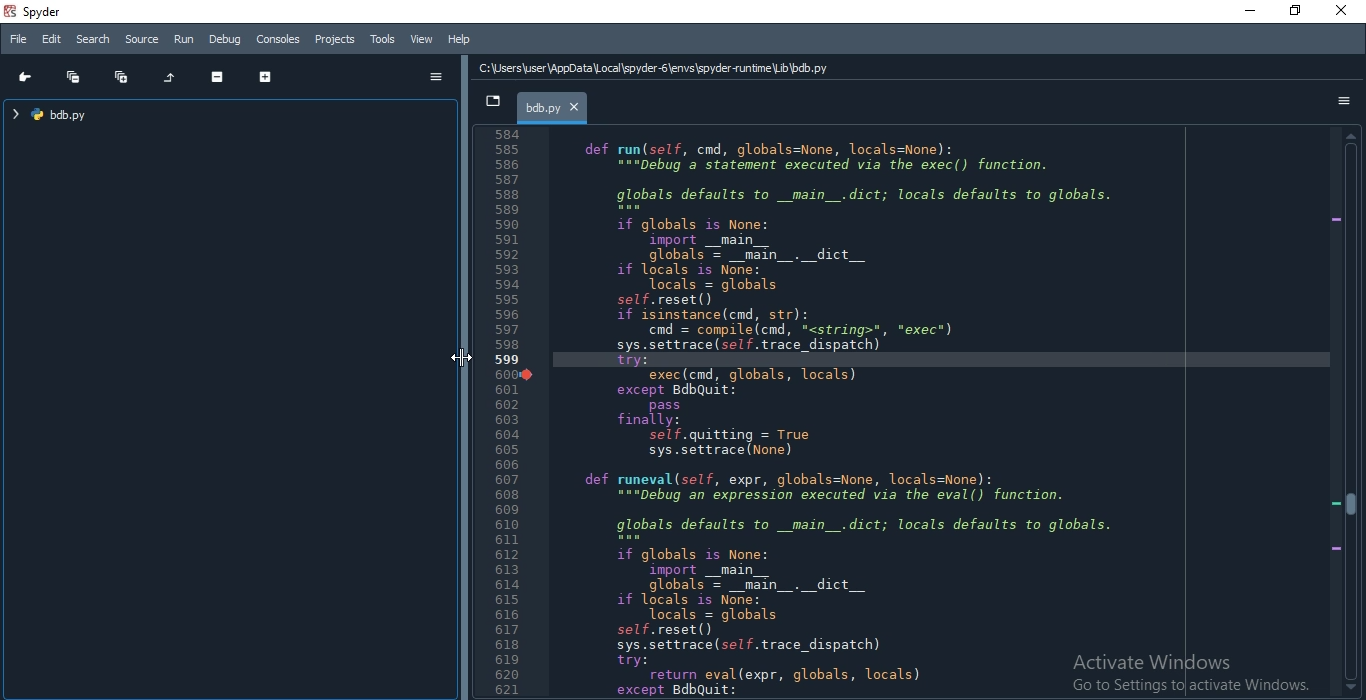  What do you see at coordinates (218, 76) in the screenshot?
I see `Collapse section` at bounding box center [218, 76].